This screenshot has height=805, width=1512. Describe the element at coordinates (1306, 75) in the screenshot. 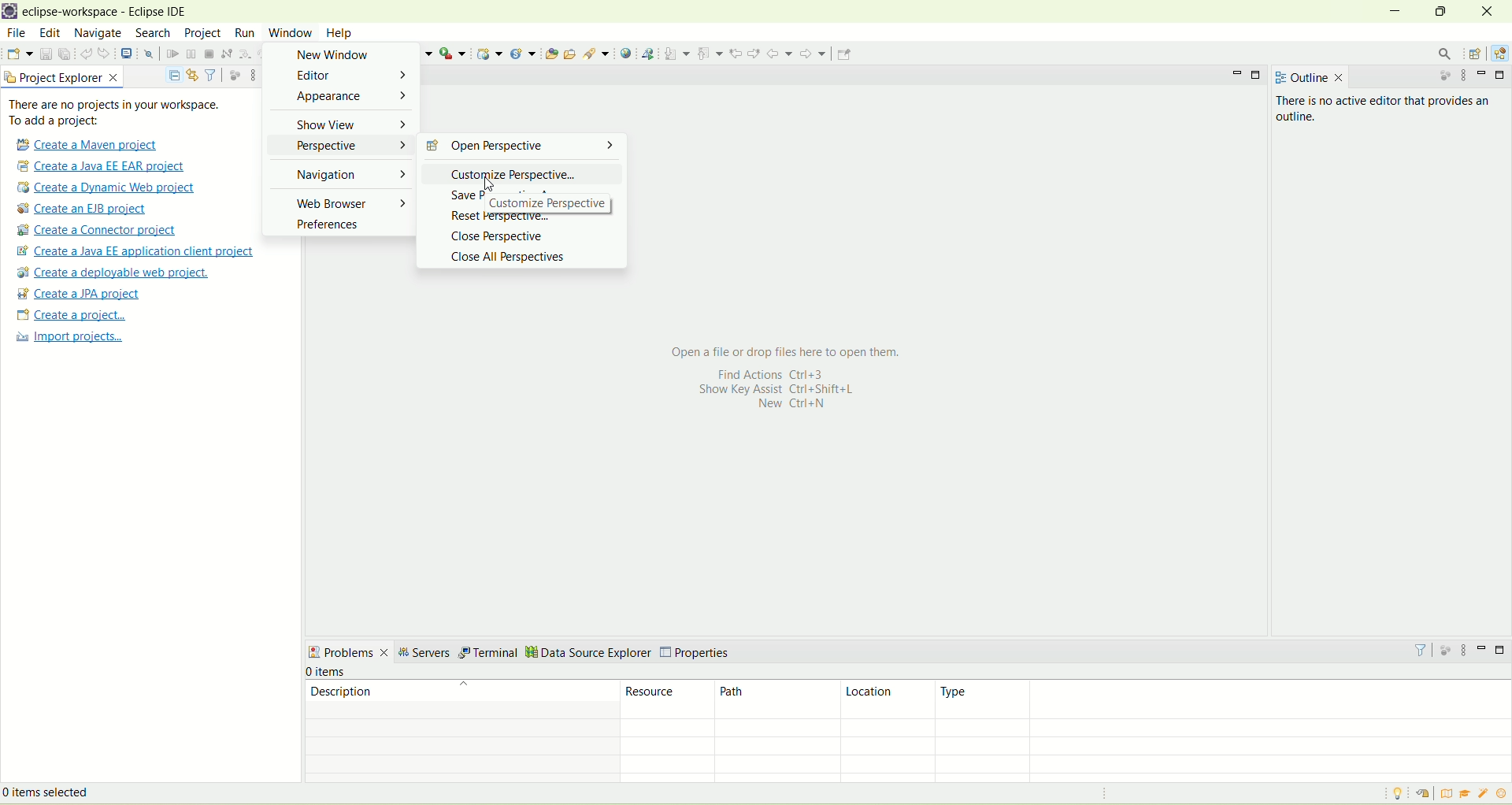

I see `outline` at that location.